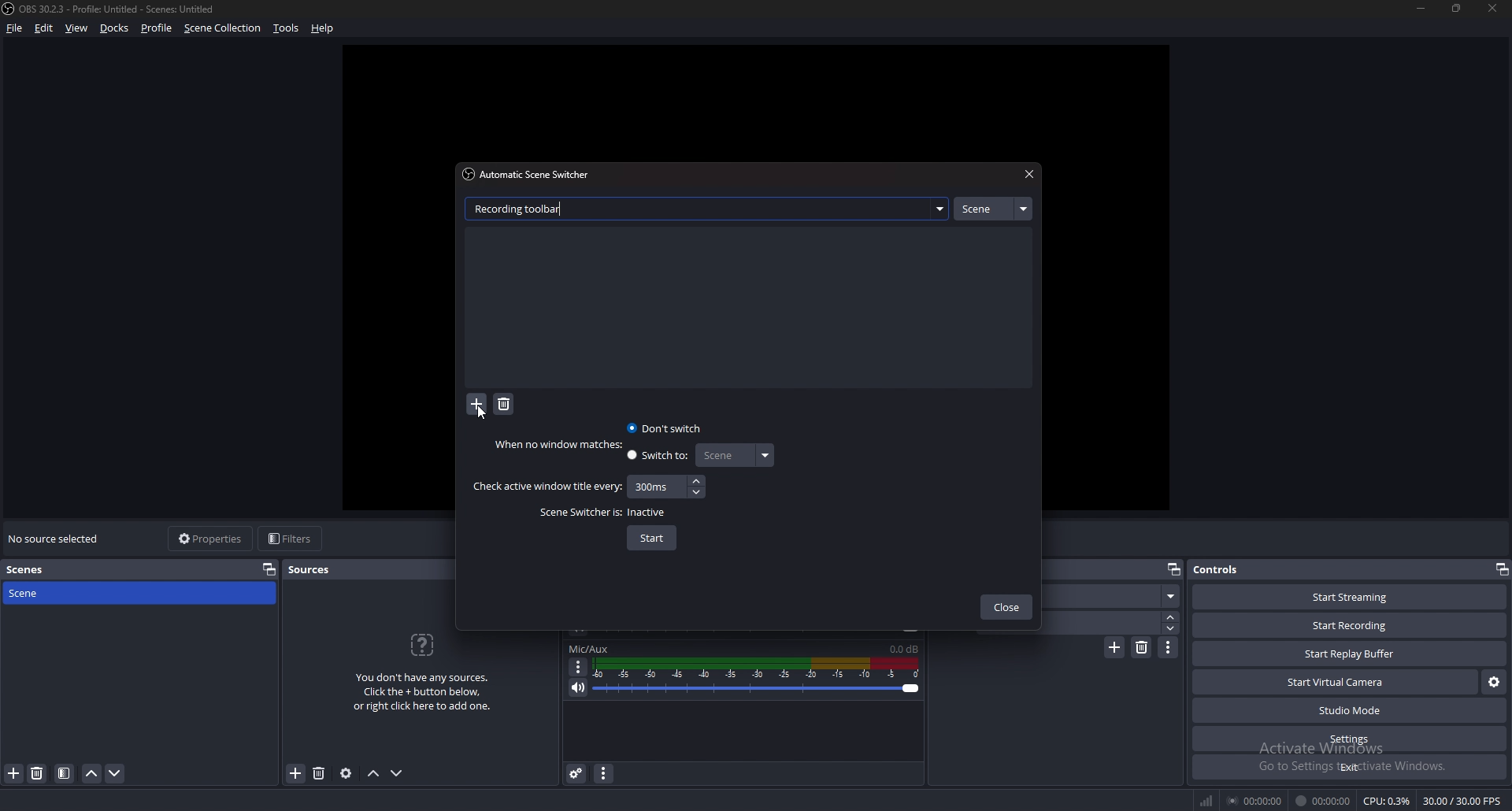  Describe the element at coordinates (579, 687) in the screenshot. I see `mute` at that location.